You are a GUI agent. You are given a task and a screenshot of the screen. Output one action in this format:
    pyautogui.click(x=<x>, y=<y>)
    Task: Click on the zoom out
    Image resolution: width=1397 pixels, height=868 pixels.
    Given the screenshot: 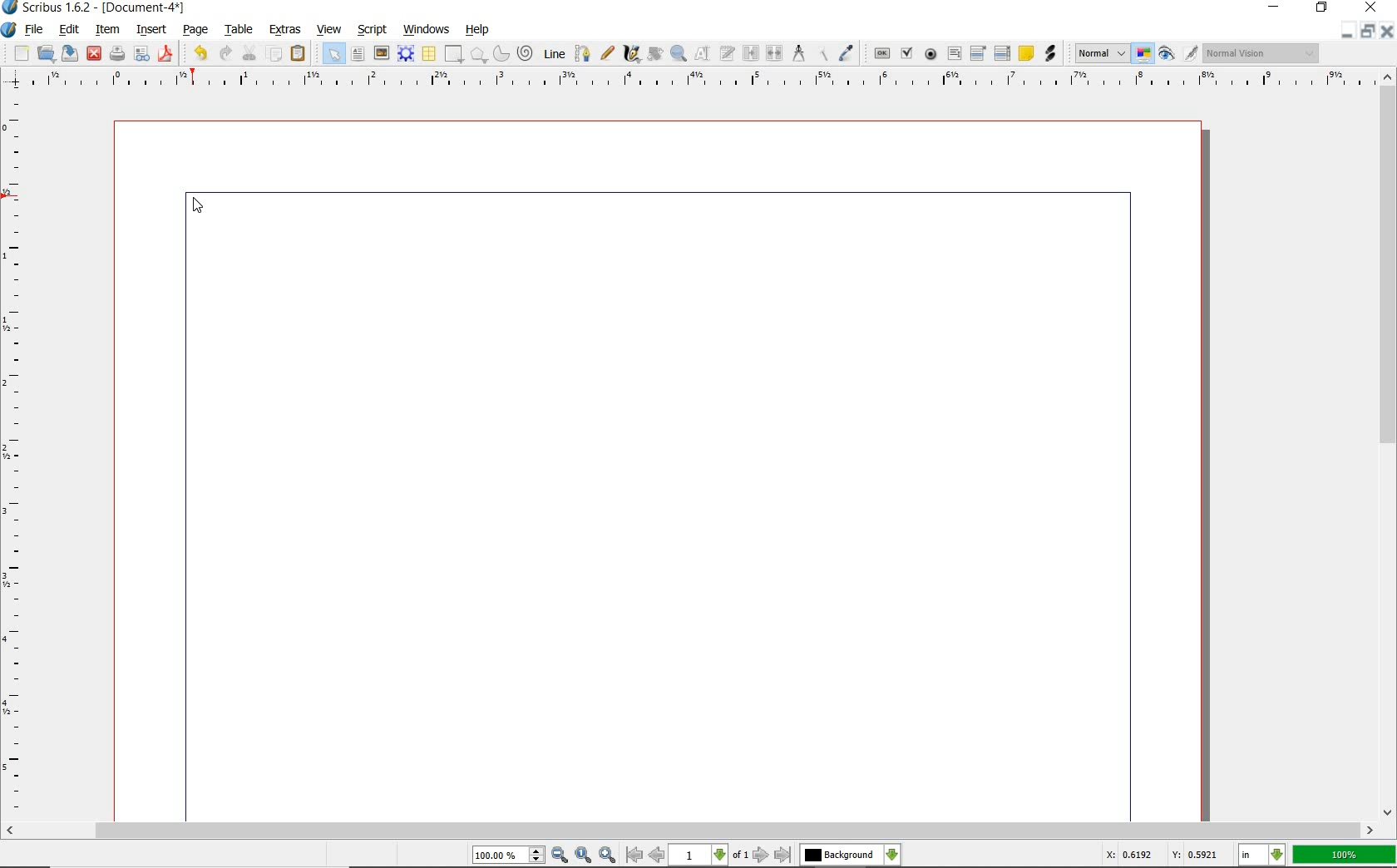 What is the action you would take?
    pyautogui.click(x=560, y=856)
    